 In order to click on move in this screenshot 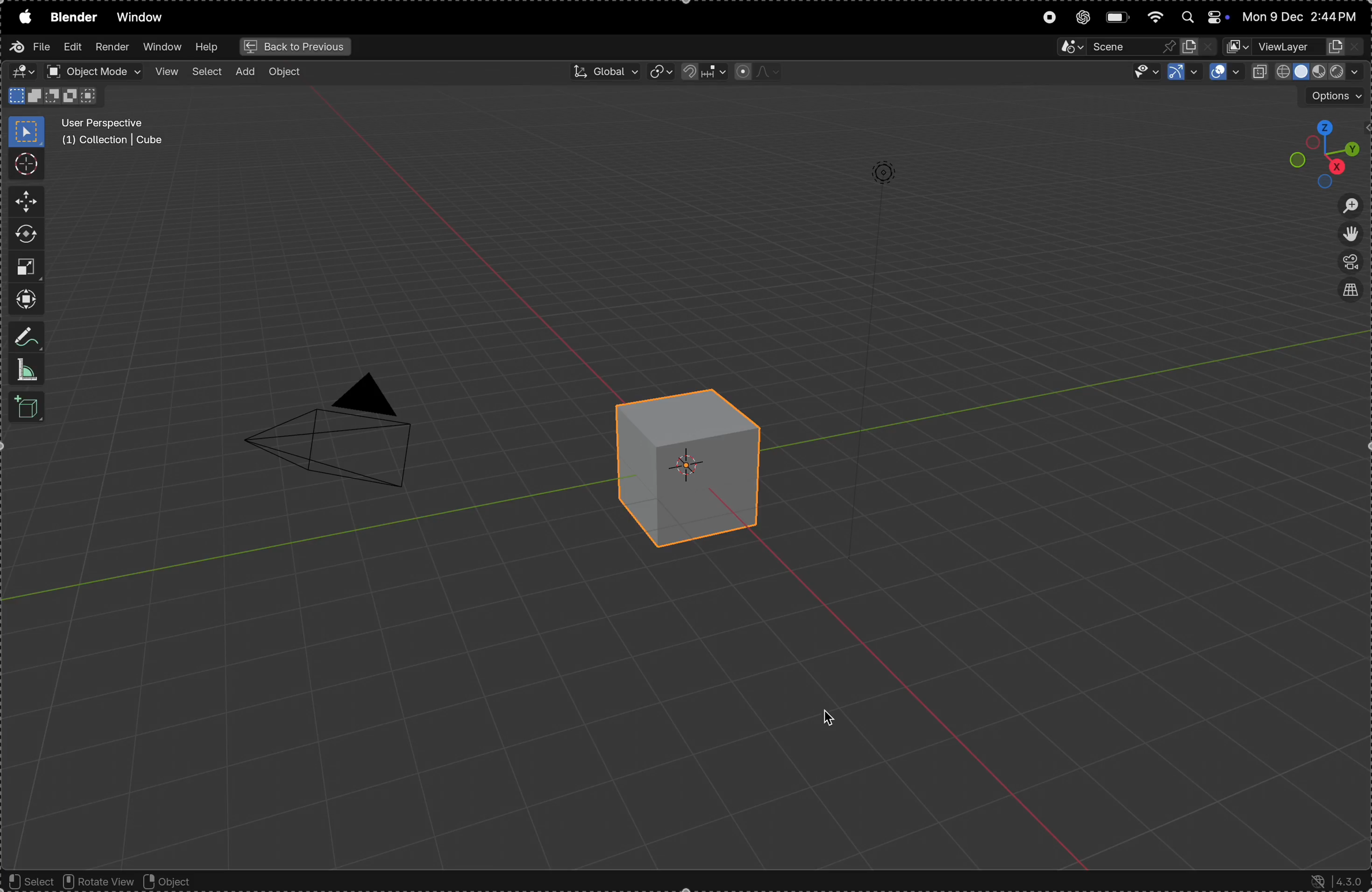, I will do `click(24, 201)`.